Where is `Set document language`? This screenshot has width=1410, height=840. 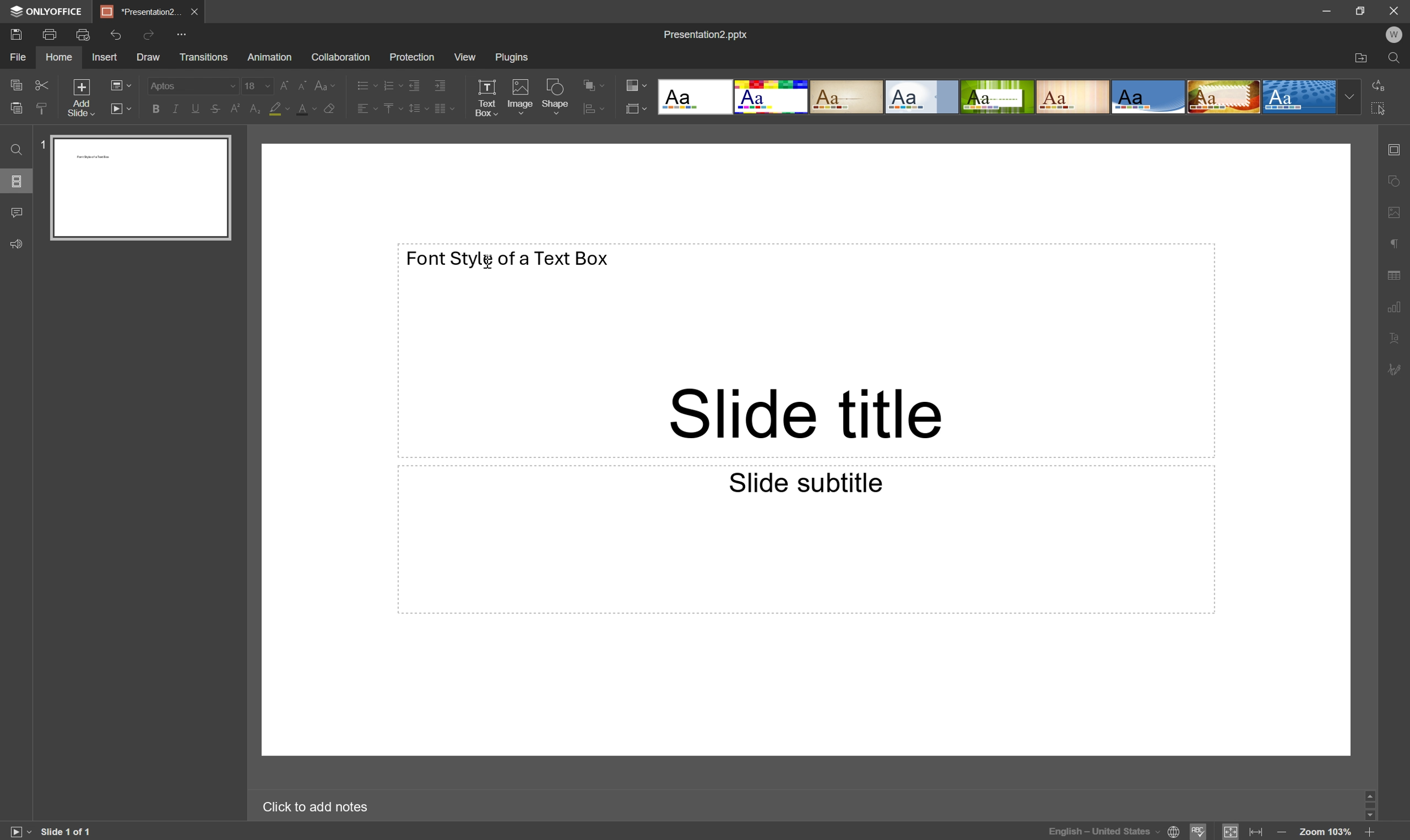 Set document language is located at coordinates (1175, 832).